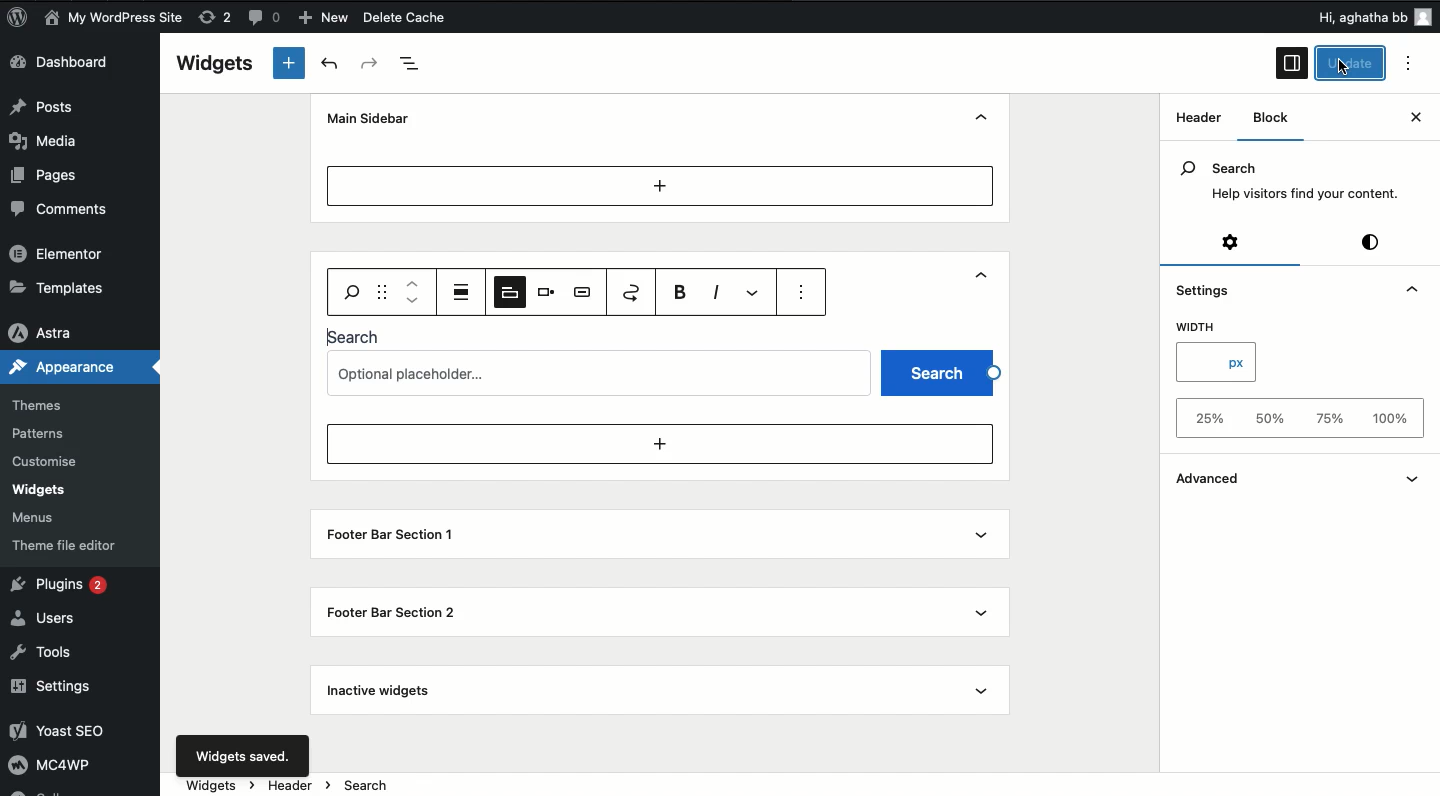 This screenshot has width=1440, height=796. What do you see at coordinates (1396, 120) in the screenshot?
I see `Close` at bounding box center [1396, 120].